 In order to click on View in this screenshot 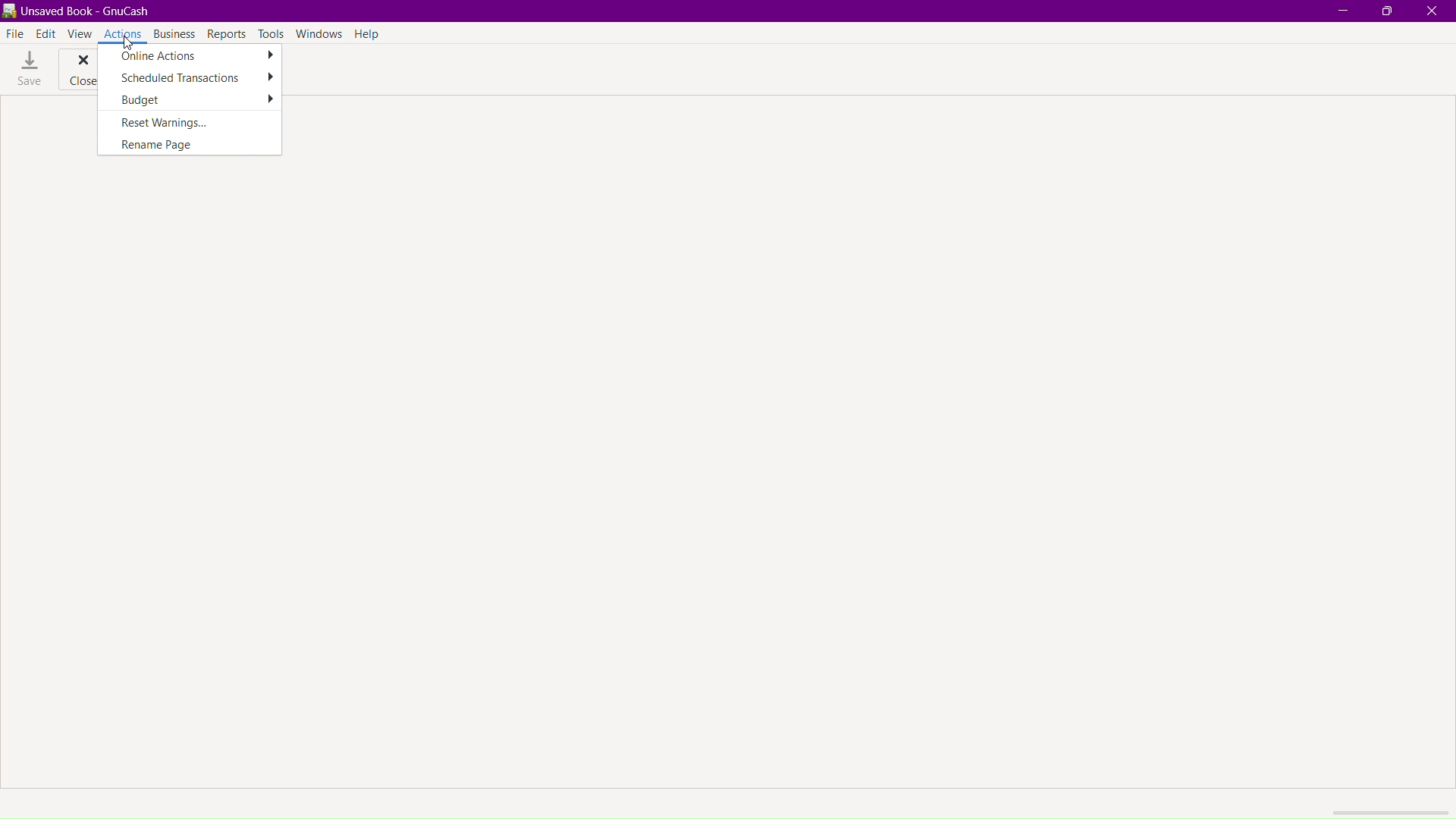, I will do `click(80, 34)`.